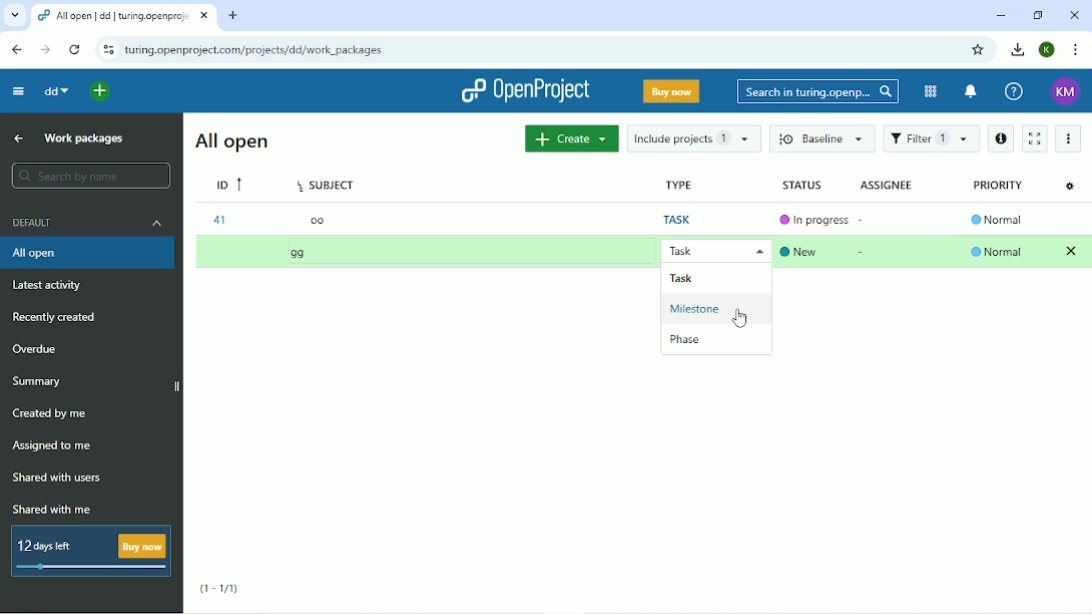 The width and height of the screenshot is (1092, 614). Describe the element at coordinates (56, 91) in the screenshot. I see `dd` at that location.